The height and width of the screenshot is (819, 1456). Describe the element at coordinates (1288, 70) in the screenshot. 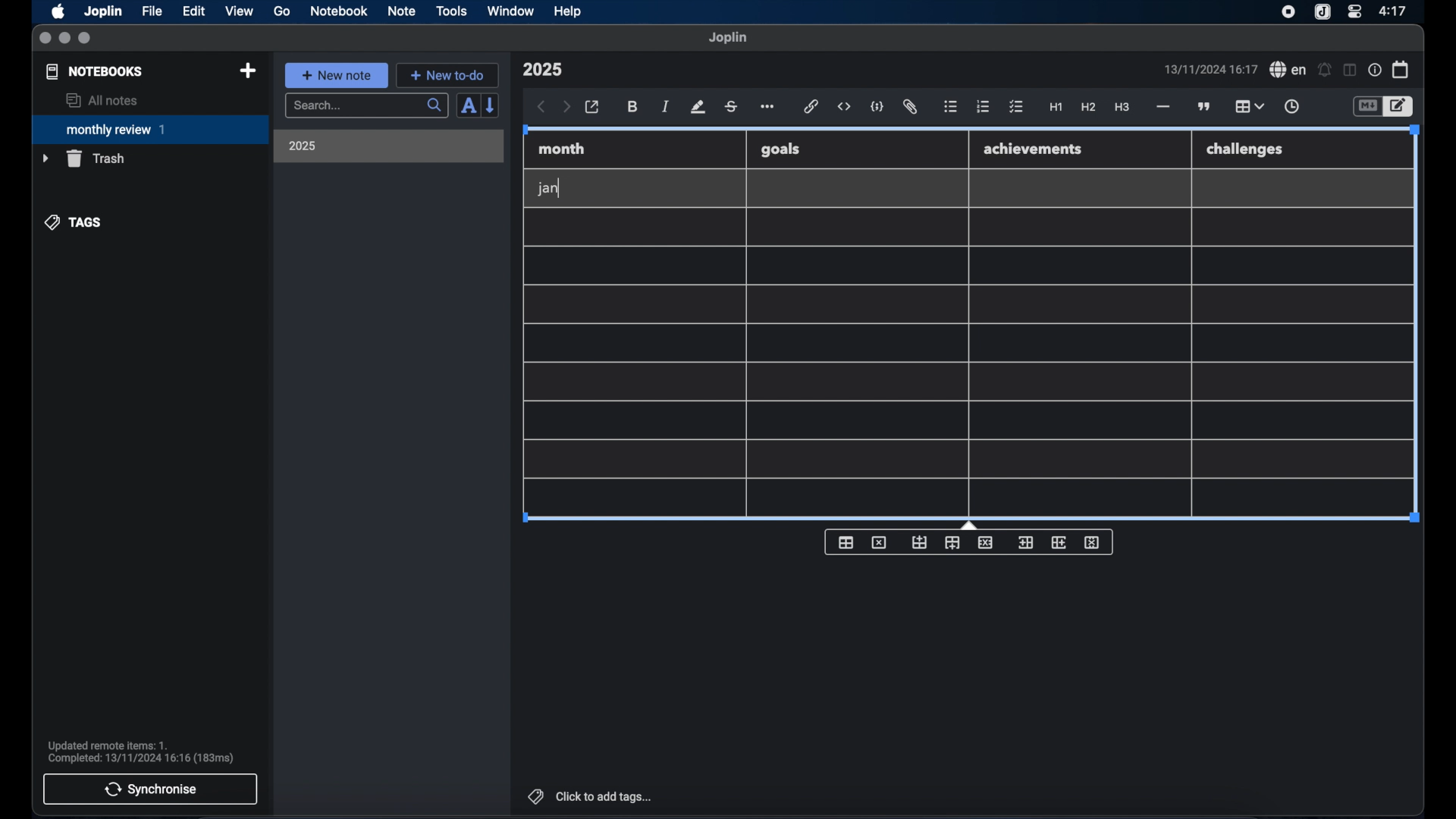

I see `spel check` at that location.